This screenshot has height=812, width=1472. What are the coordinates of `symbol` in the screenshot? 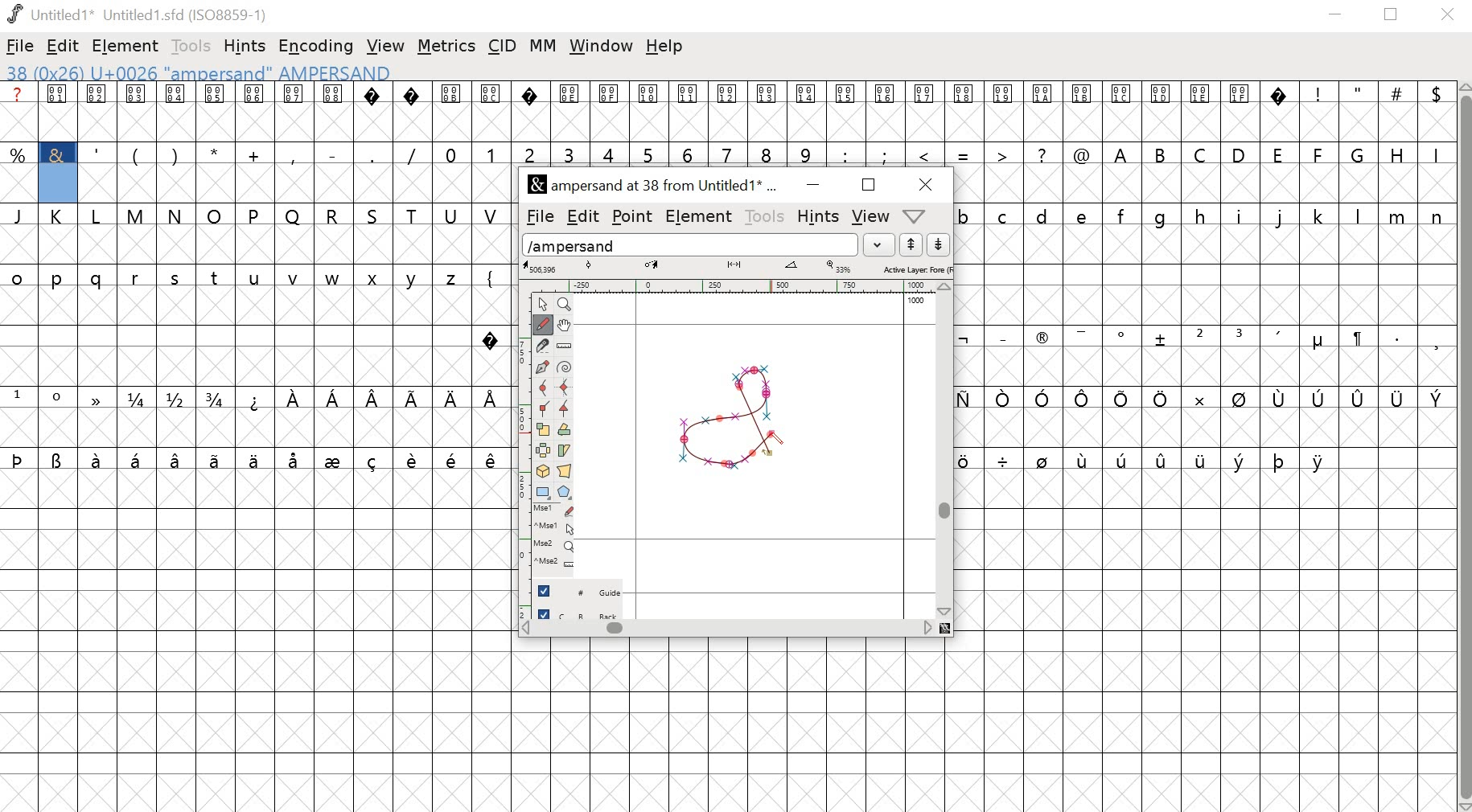 It's located at (138, 459).